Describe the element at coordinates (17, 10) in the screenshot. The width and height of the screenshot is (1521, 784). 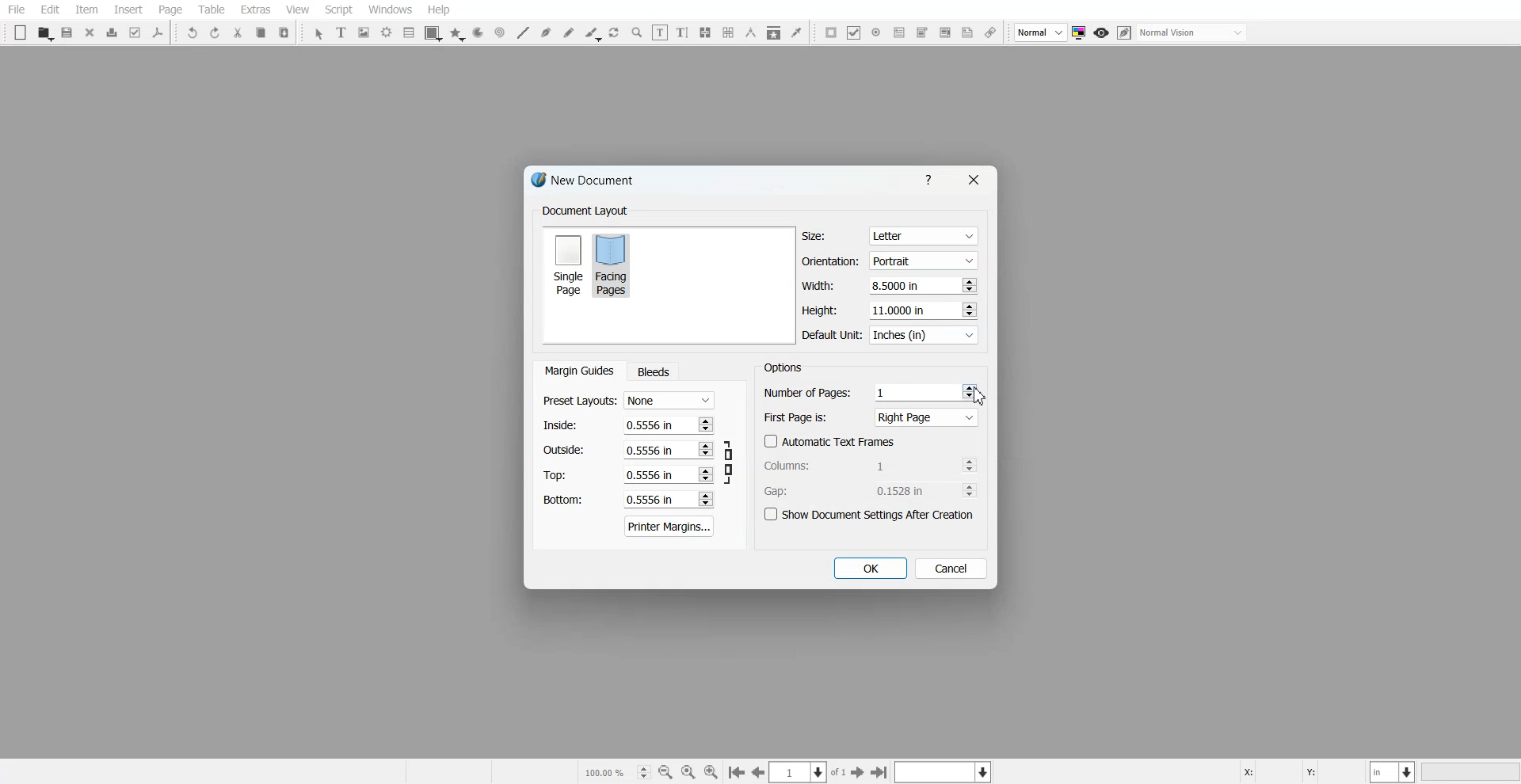
I see `File` at that location.